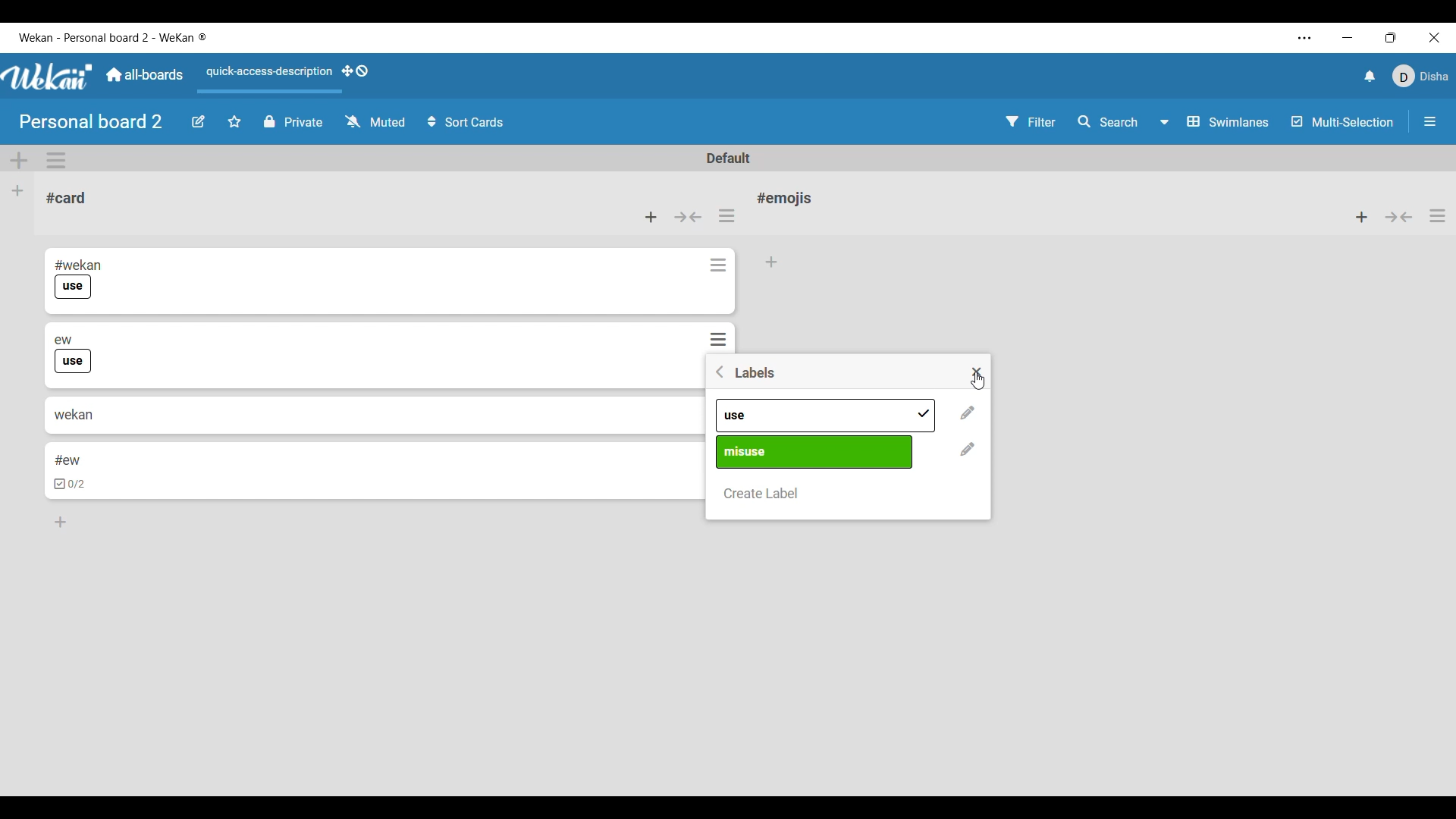 Image resolution: width=1456 pixels, height=819 pixels. Describe the element at coordinates (1420, 76) in the screenshot. I see `Current account` at that location.